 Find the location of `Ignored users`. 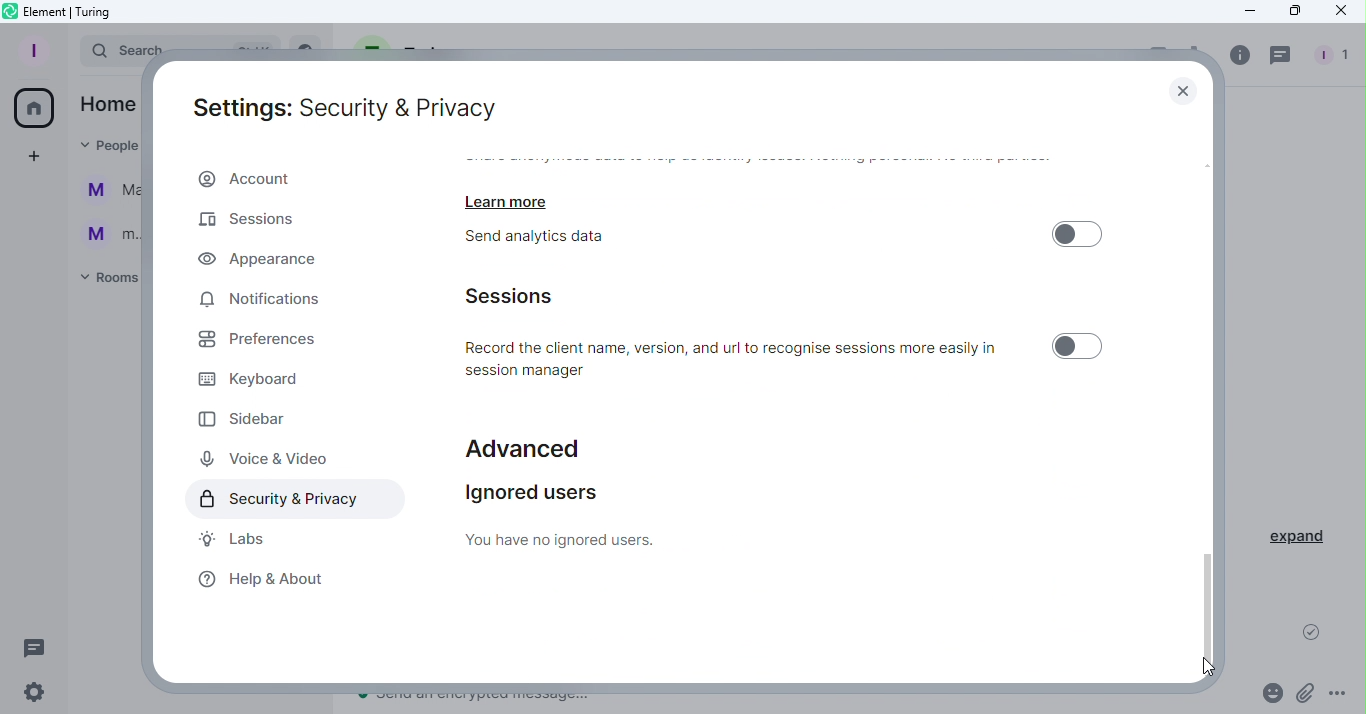

Ignored users is located at coordinates (572, 514).